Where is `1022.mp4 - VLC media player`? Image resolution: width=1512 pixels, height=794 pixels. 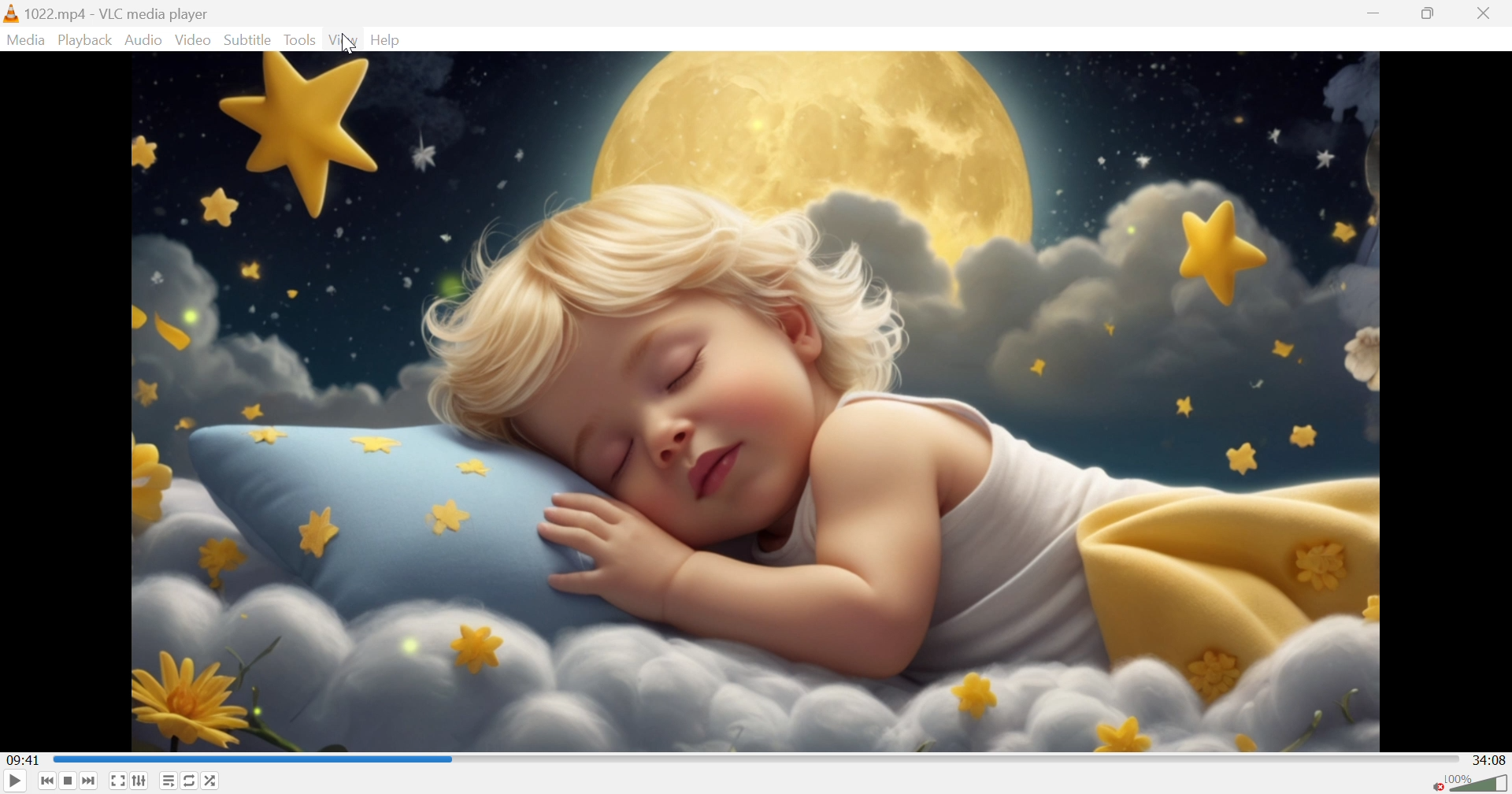 1022.mp4 - VLC media player is located at coordinates (107, 11).